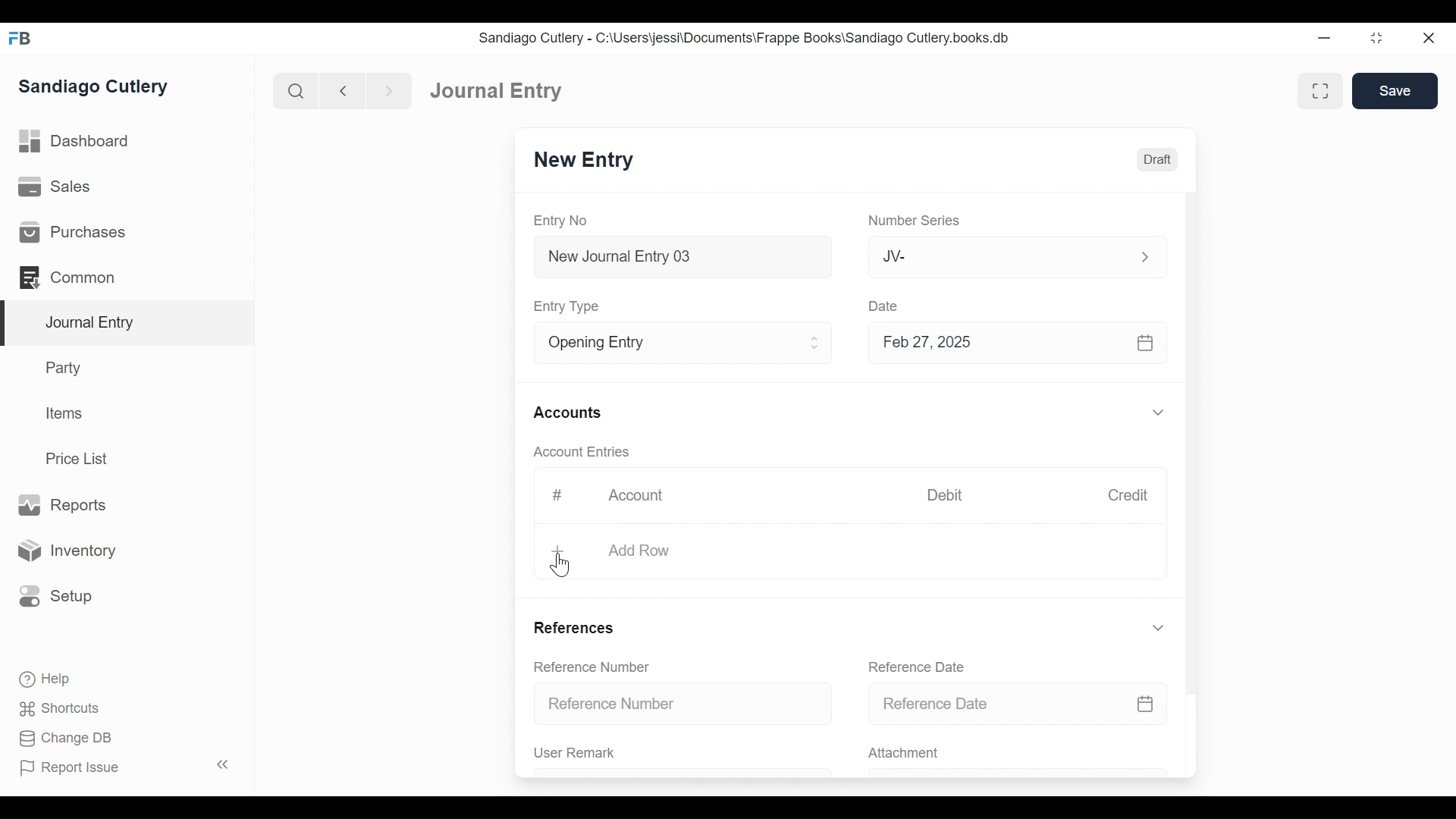 Image resolution: width=1456 pixels, height=819 pixels. Describe the element at coordinates (639, 496) in the screenshot. I see `Account` at that location.